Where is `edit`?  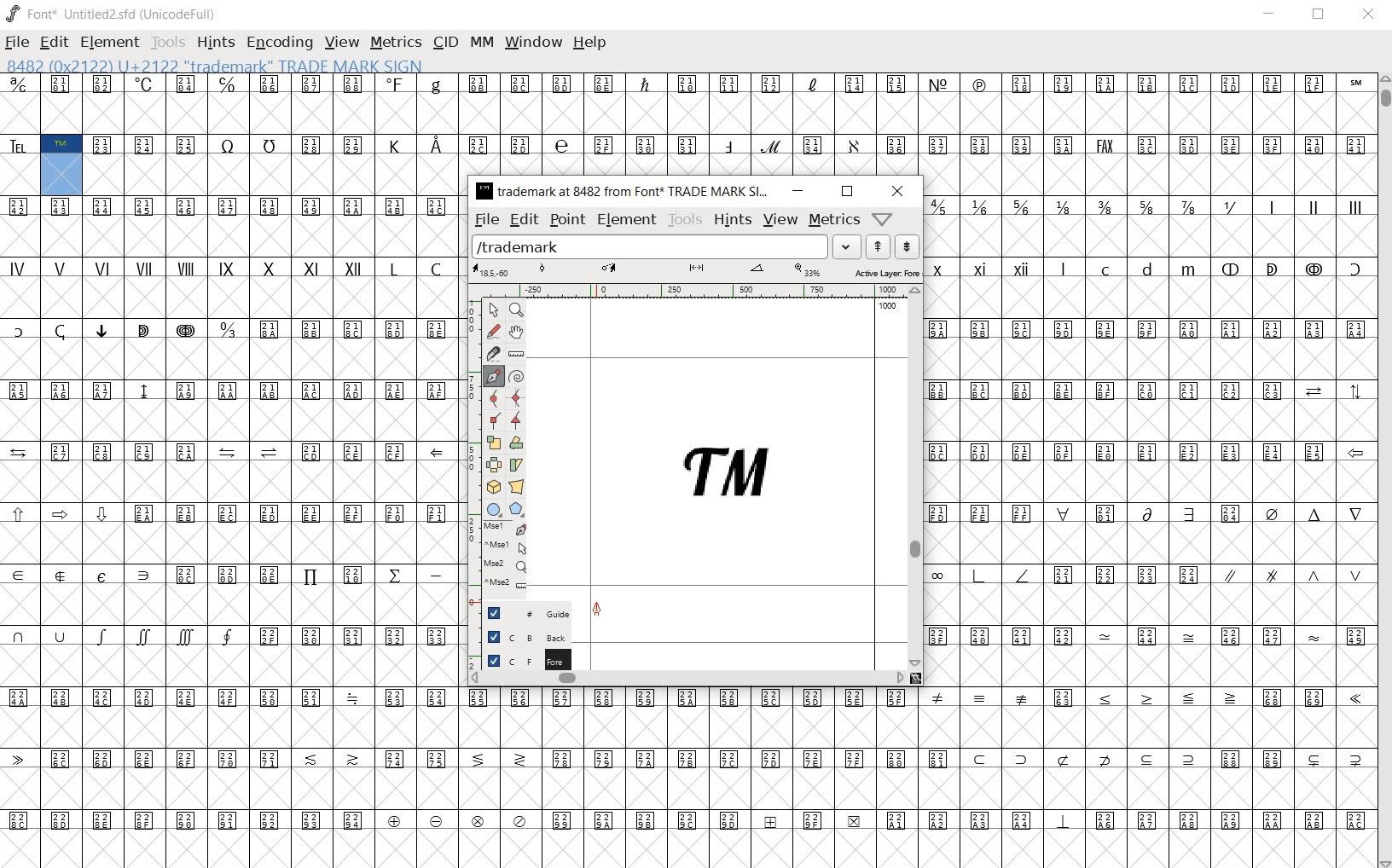
edit is located at coordinates (525, 220).